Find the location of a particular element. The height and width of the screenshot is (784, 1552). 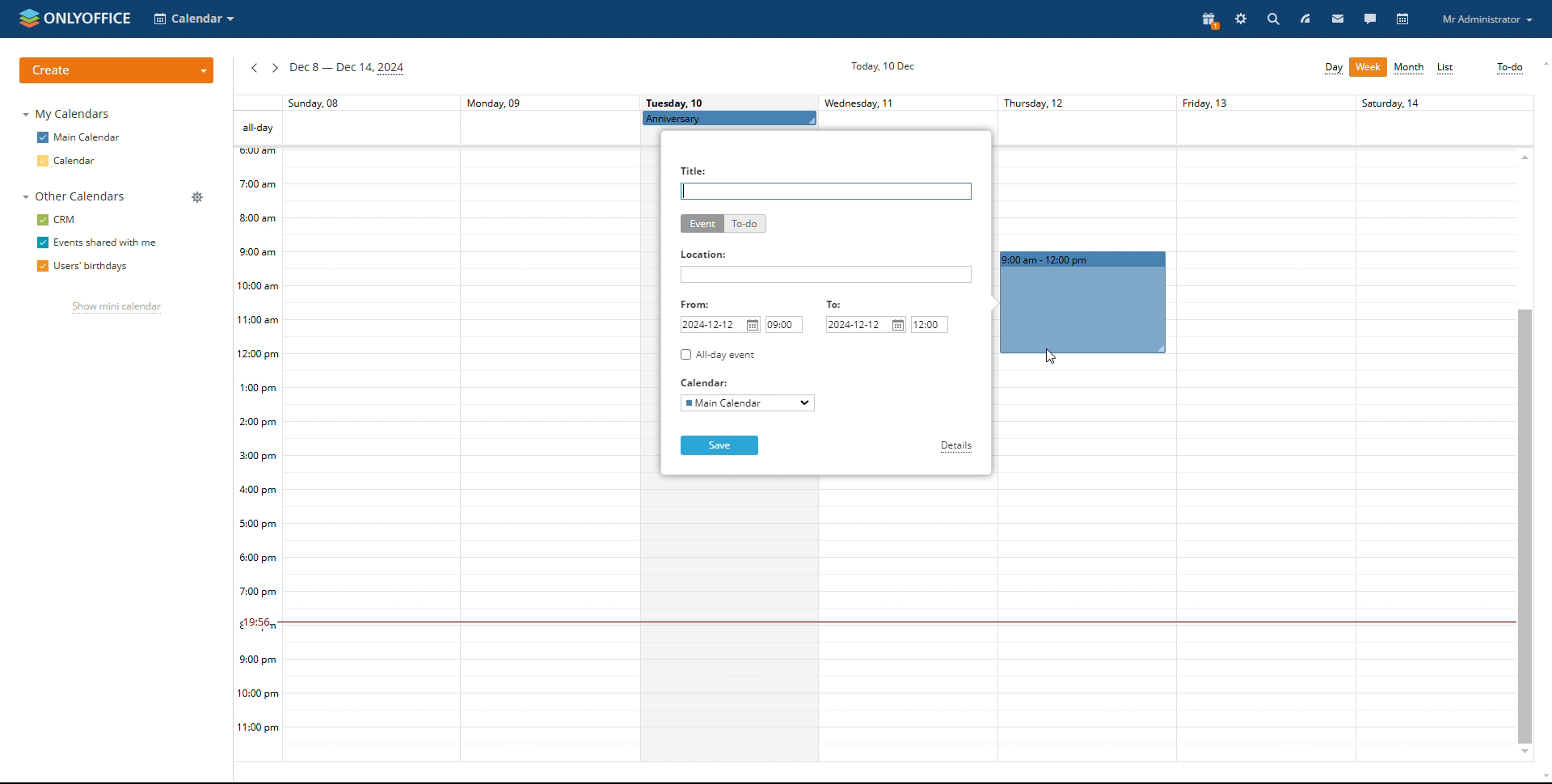

users' birthdays is located at coordinates (97, 268).